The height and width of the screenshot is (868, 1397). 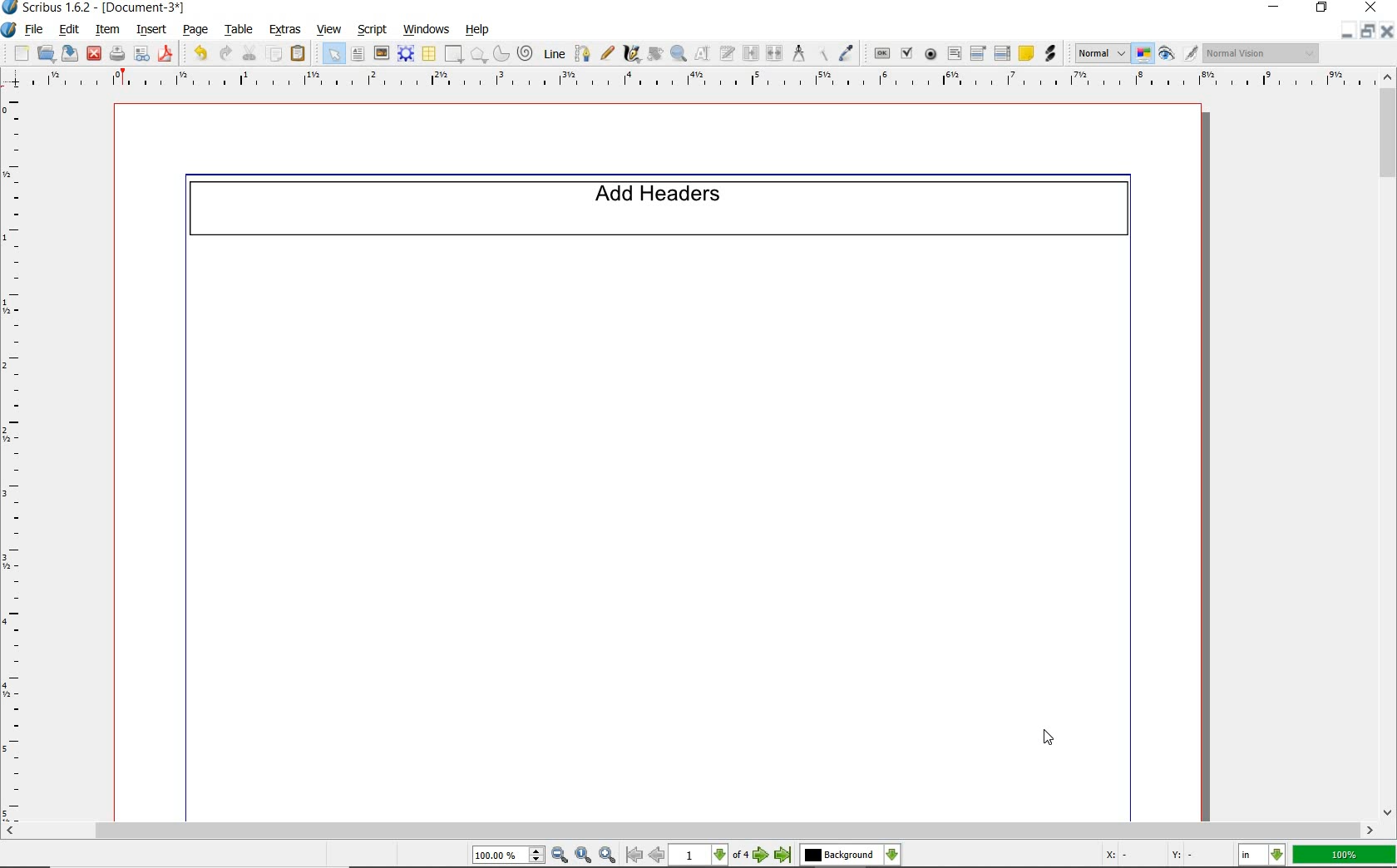 I want to click on zoom in or zoom out, so click(x=679, y=55).